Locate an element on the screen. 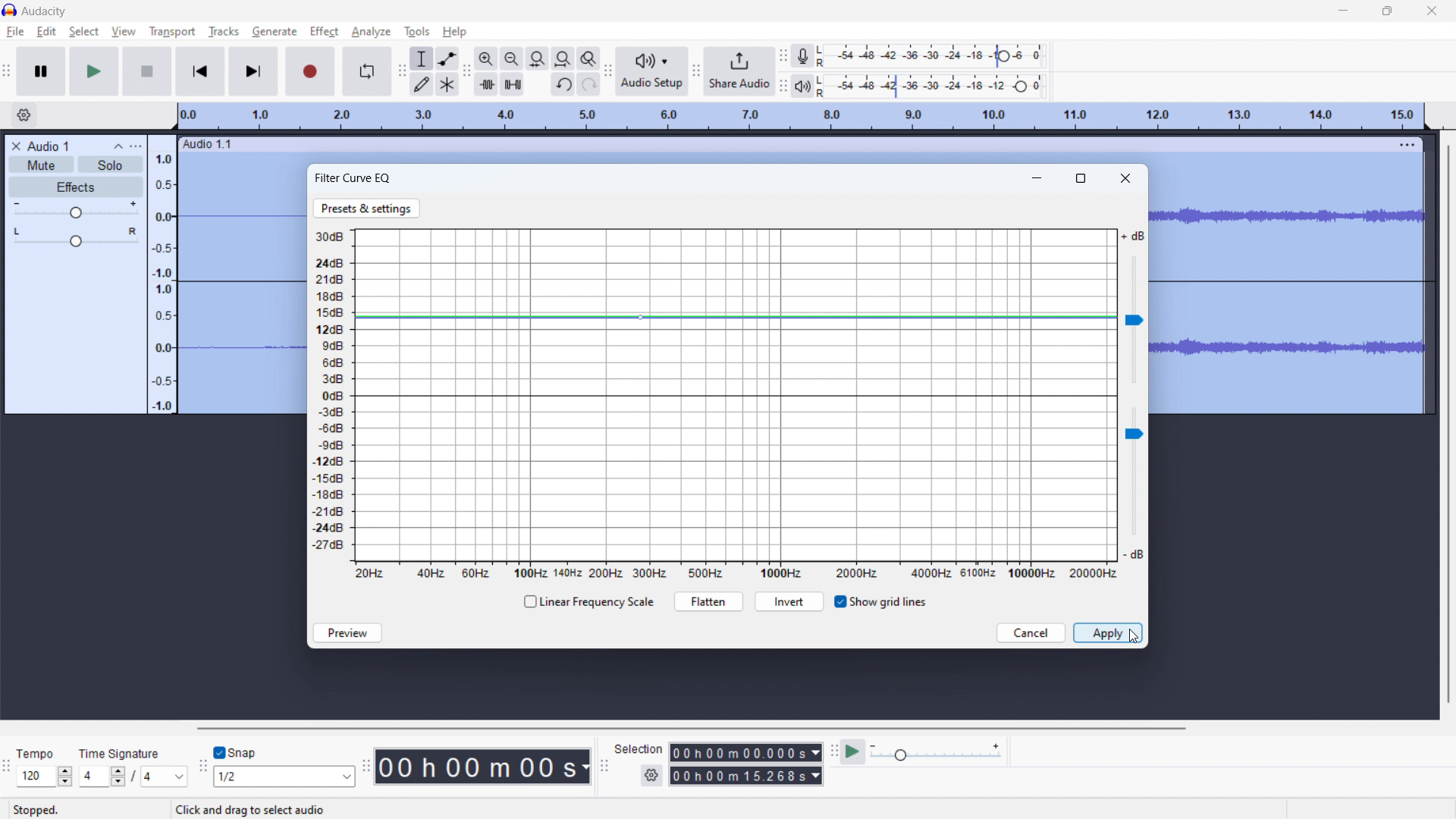 This screenshot has width=1456, height=819. logo is located at coordinates (10, 9).